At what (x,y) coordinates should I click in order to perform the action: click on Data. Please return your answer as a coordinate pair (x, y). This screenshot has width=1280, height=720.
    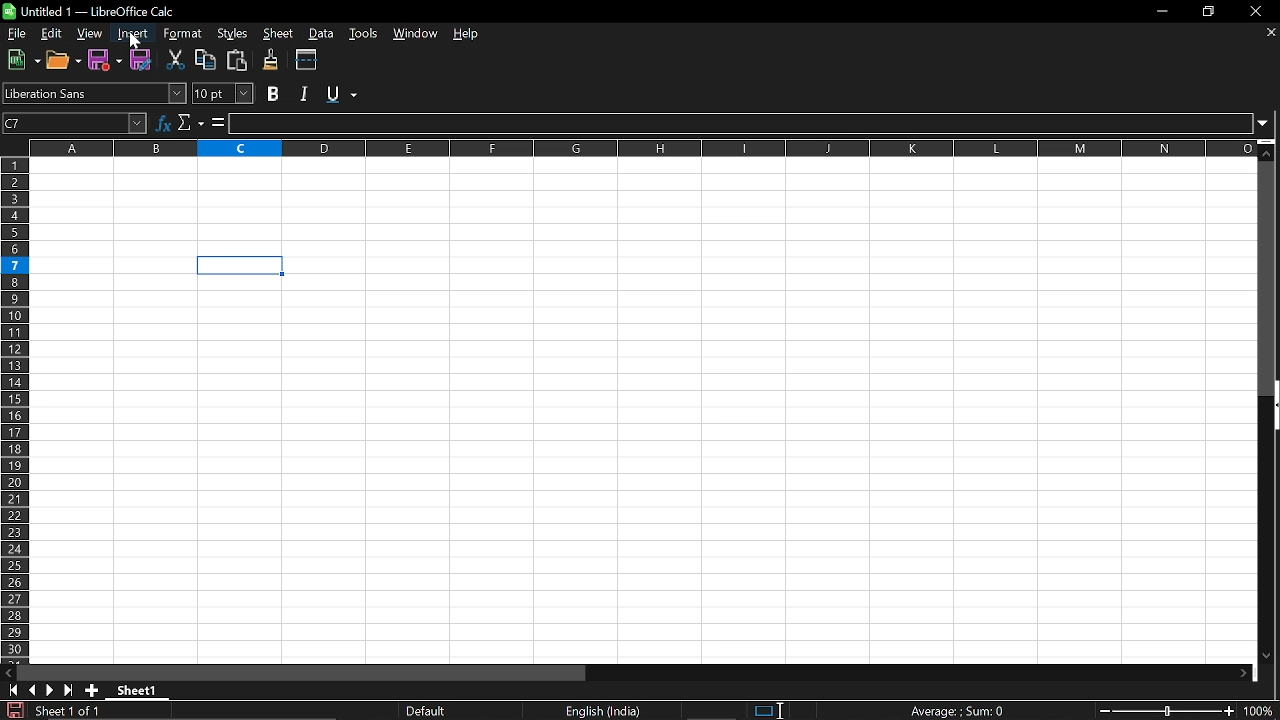
    Looking at the image, I should click on (321, 33).